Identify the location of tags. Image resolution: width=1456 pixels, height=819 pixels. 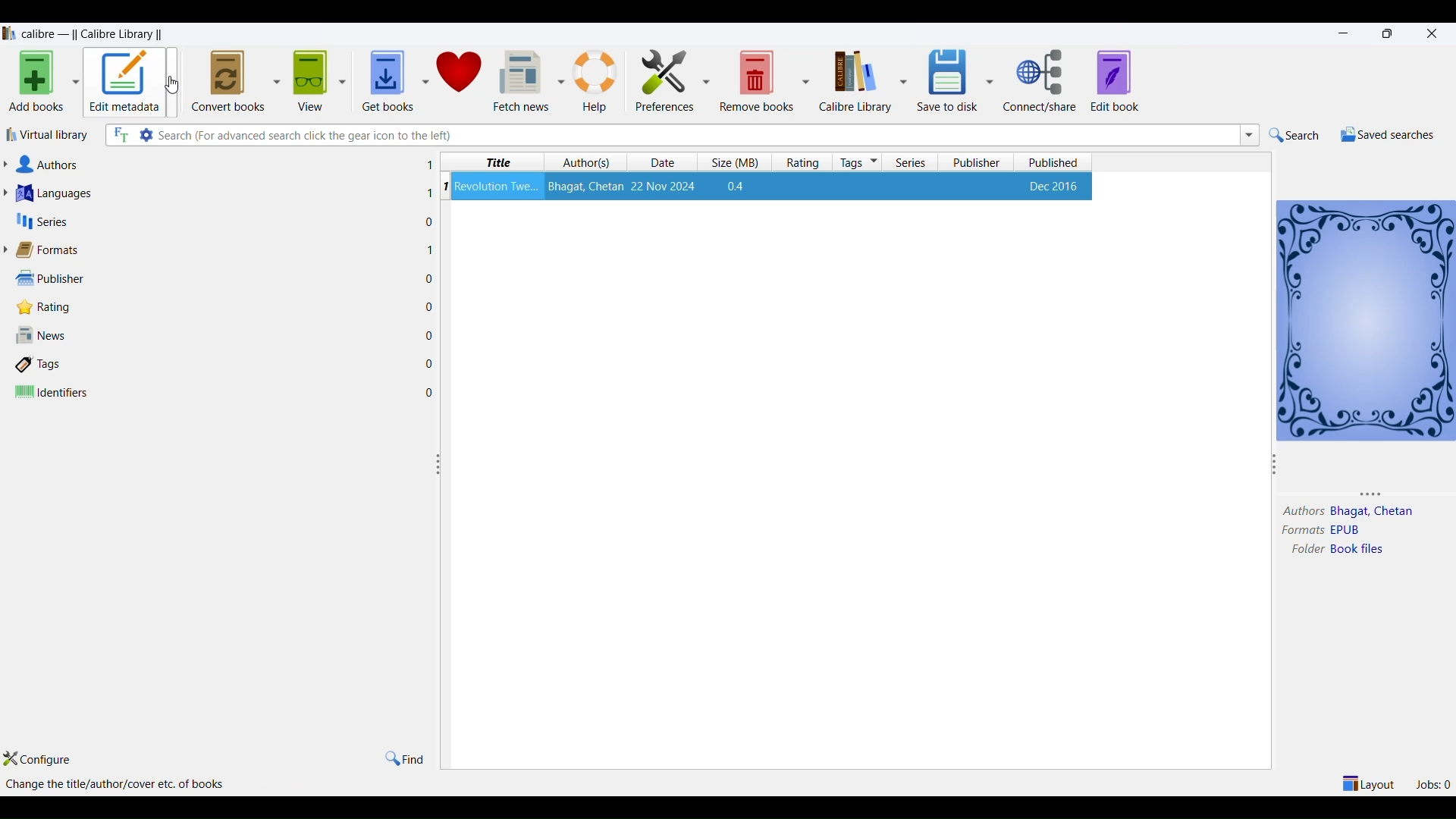
(42, 366).